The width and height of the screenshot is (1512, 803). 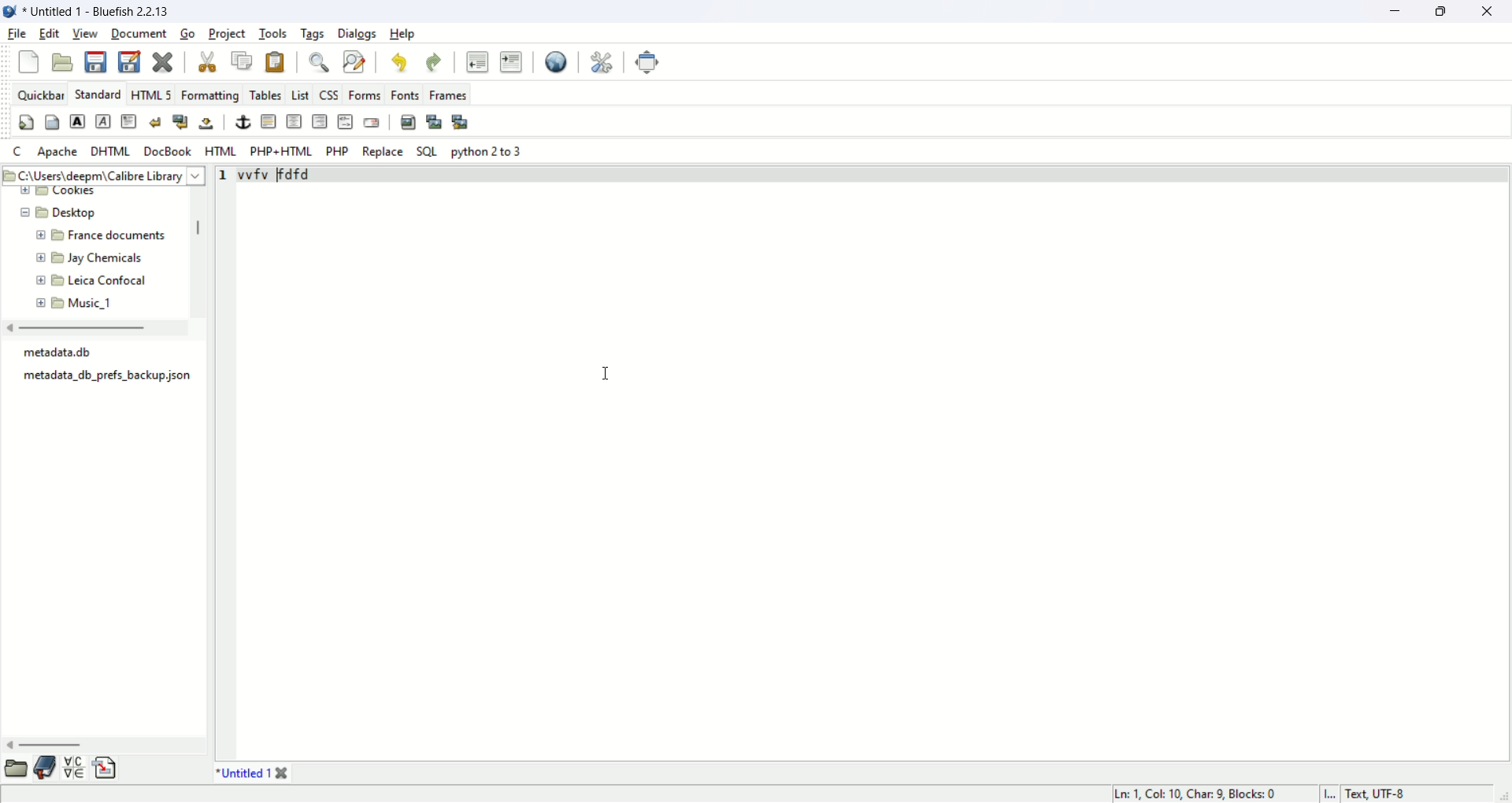 I want to click on view in browser, so click(x=555, y=63).